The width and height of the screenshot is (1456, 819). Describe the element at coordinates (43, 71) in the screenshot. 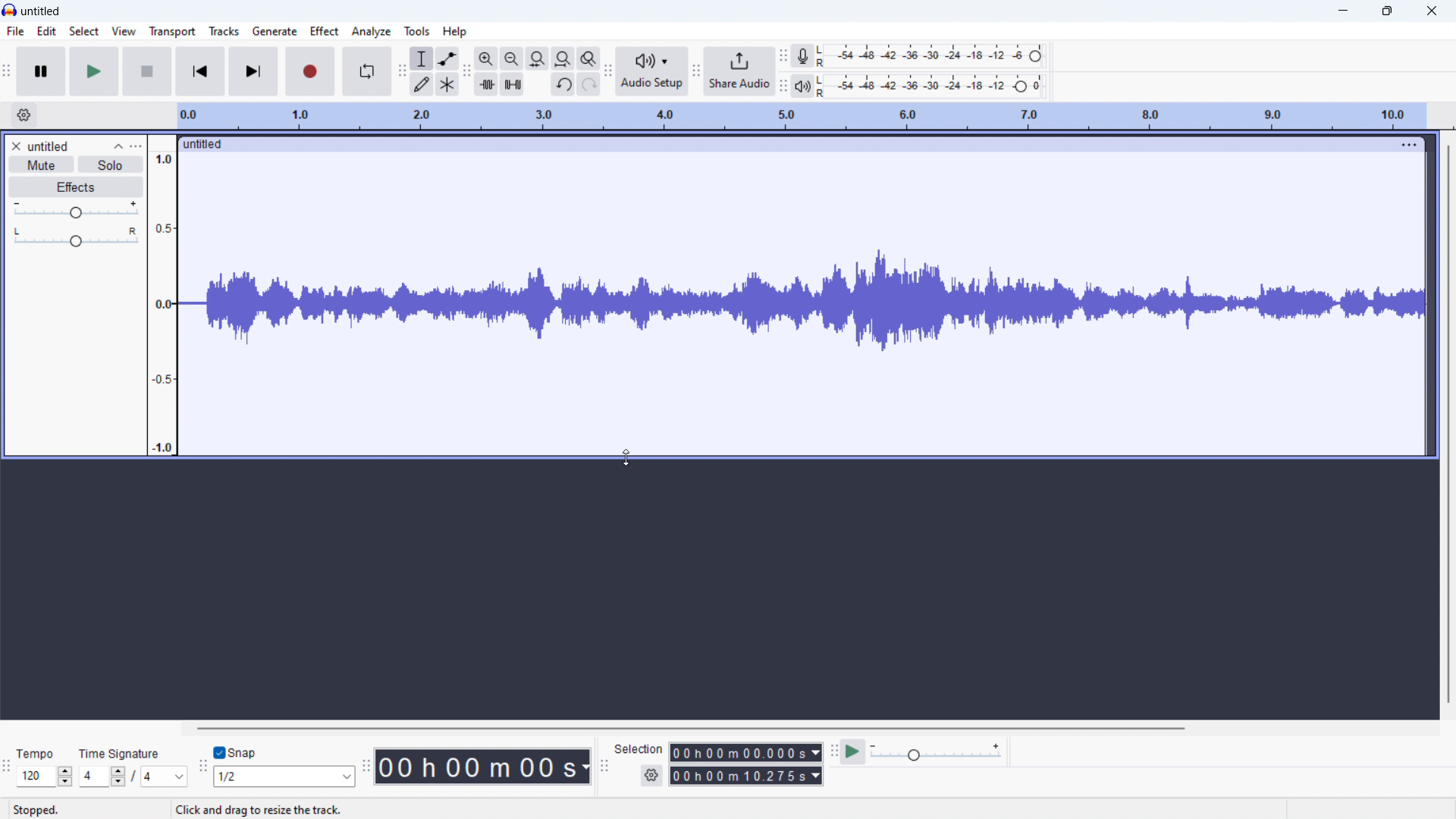

I see `pause` at that location.